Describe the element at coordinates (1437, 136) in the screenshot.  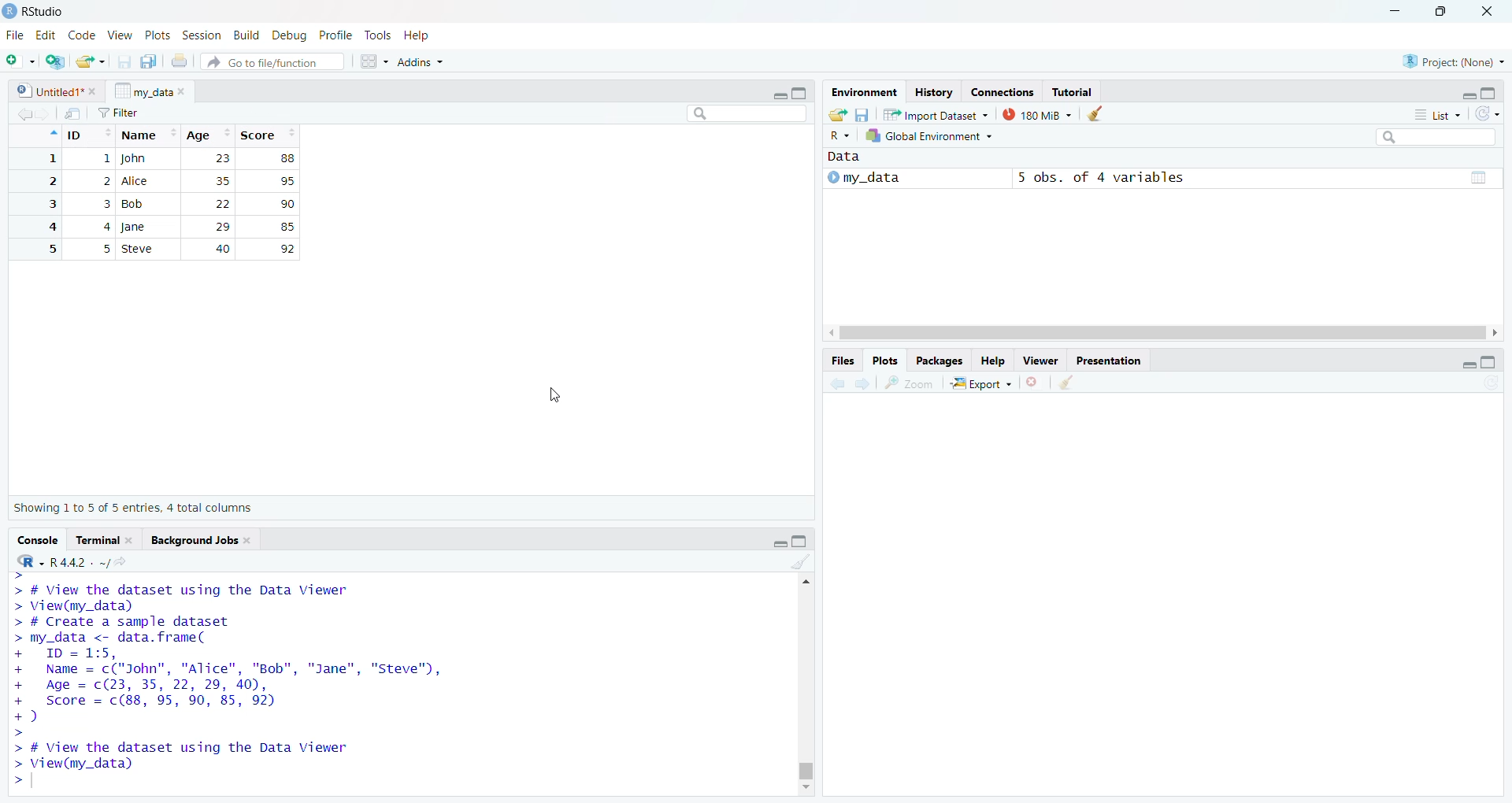
I see `Search` at that location.